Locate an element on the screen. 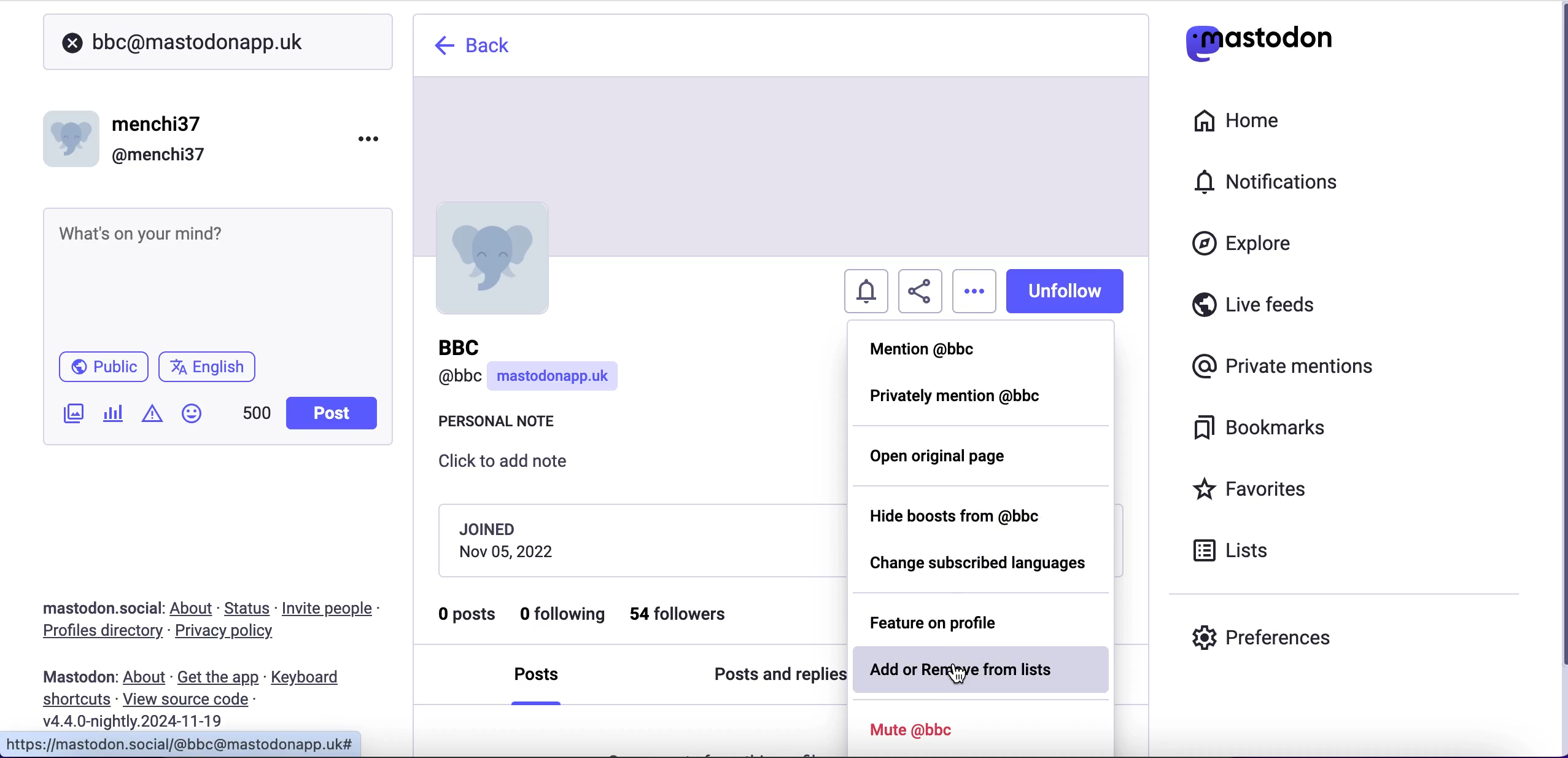  characters is located at coordinates (257, 415).